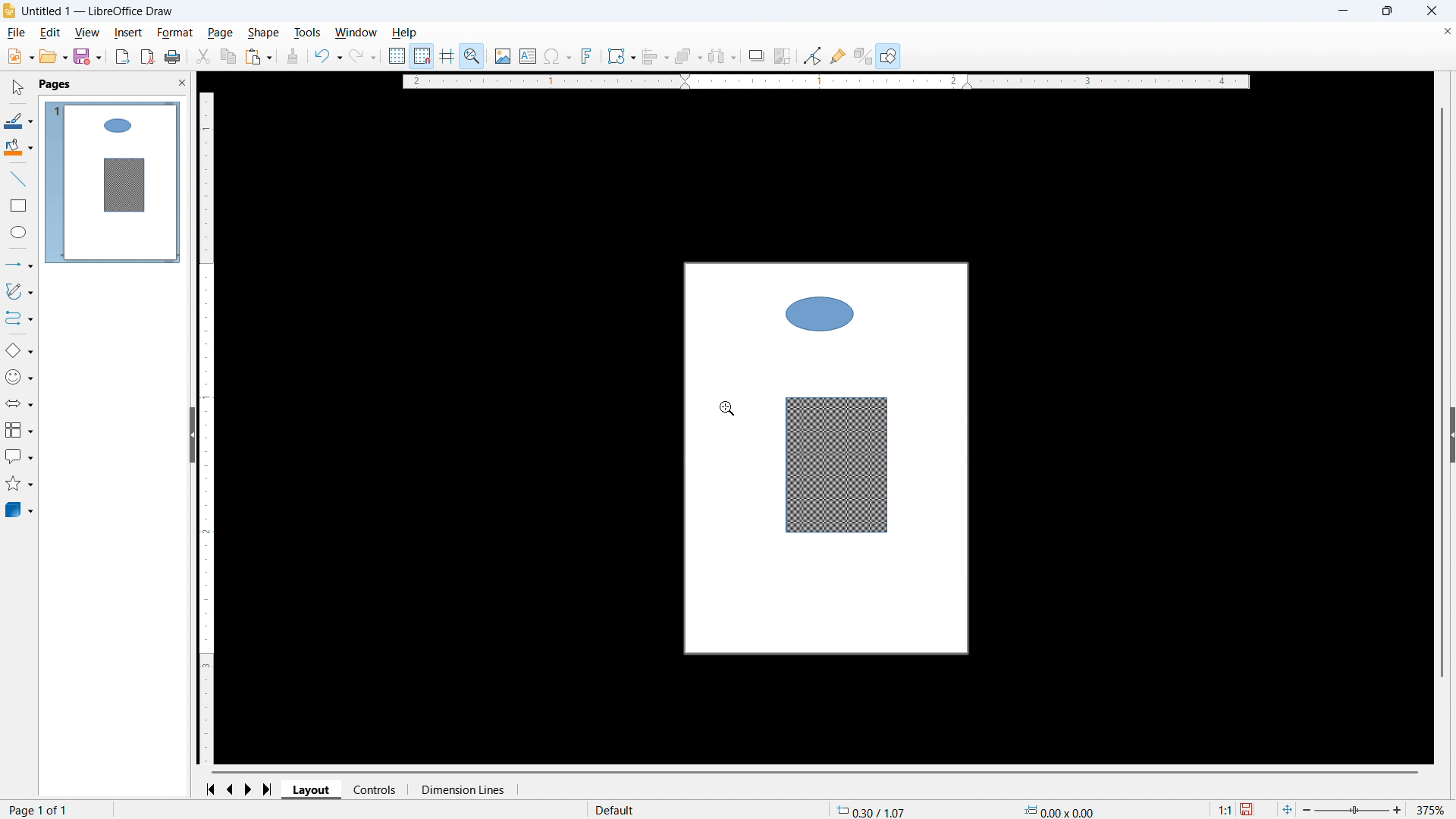 The width and height of the screenshot is (1456, 819). What do you see at coordinates (473, 55) in the screenshot?
I see `Zoom ` at bounding box center [473, 55].